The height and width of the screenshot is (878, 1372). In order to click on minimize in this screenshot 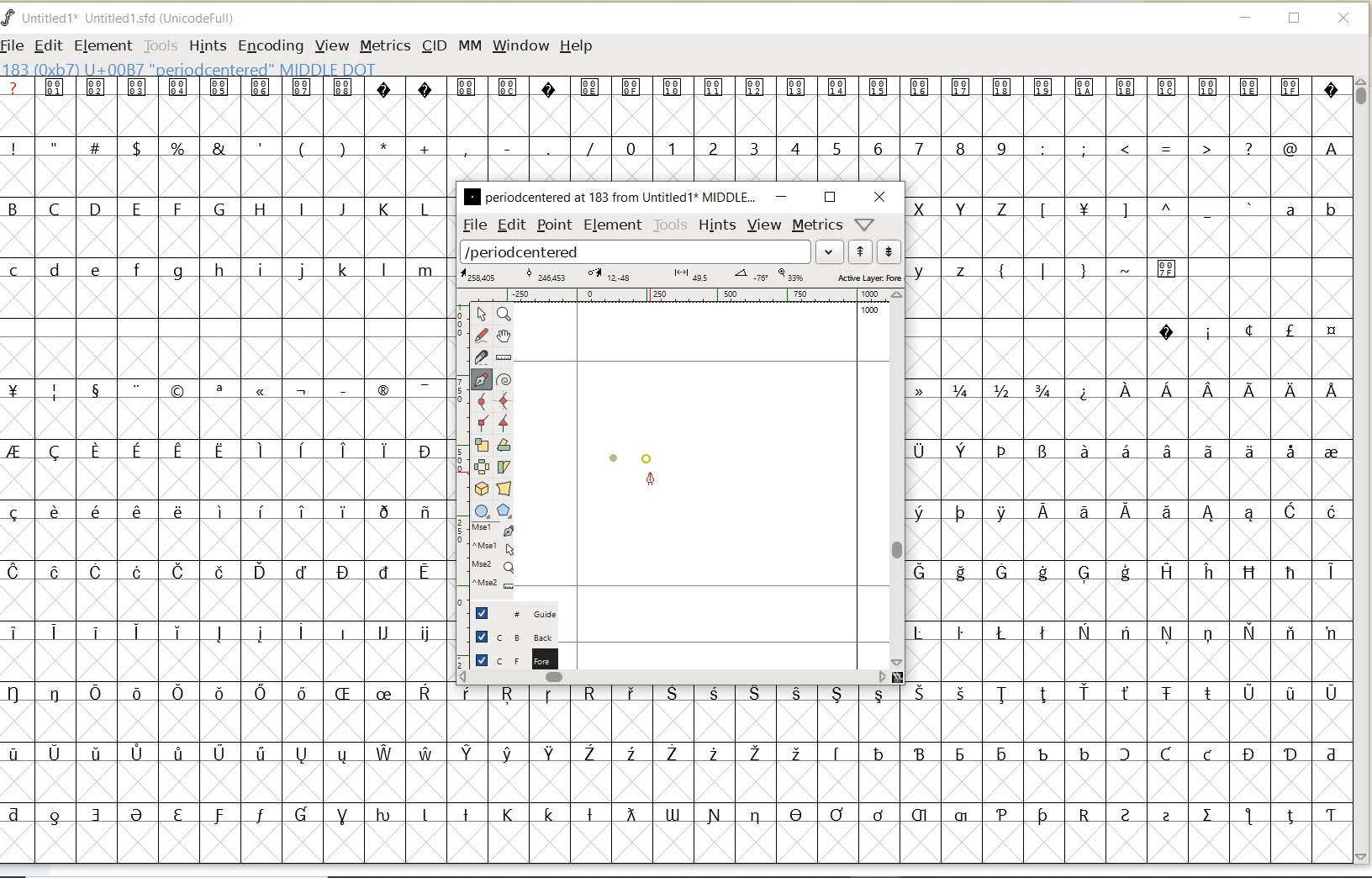, I will do `click(781, 197)`.